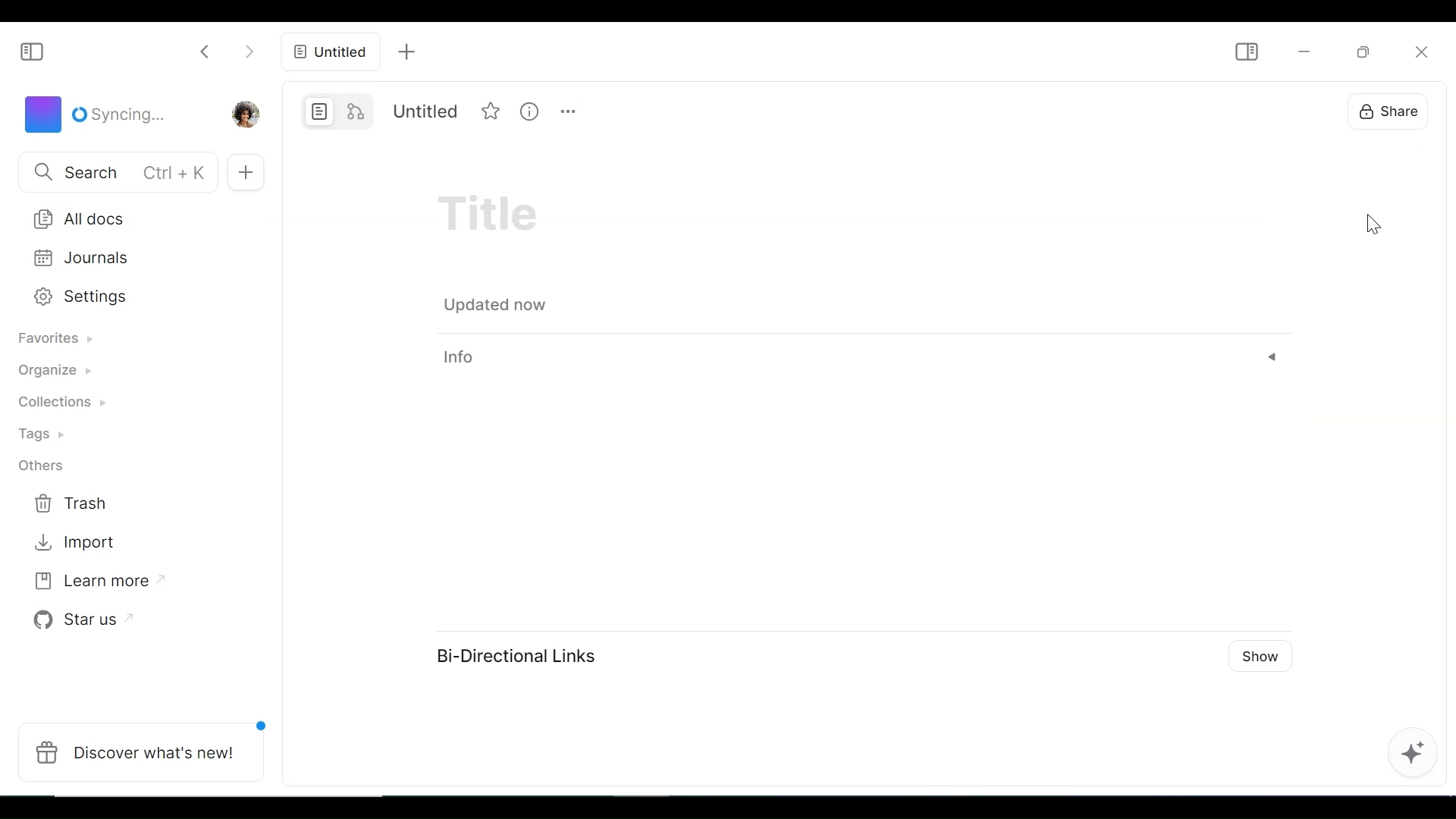 The image size is (1456, 819). Describe the element at coordinates (532, 111) in the screenshot. I see `View Information` at that location.